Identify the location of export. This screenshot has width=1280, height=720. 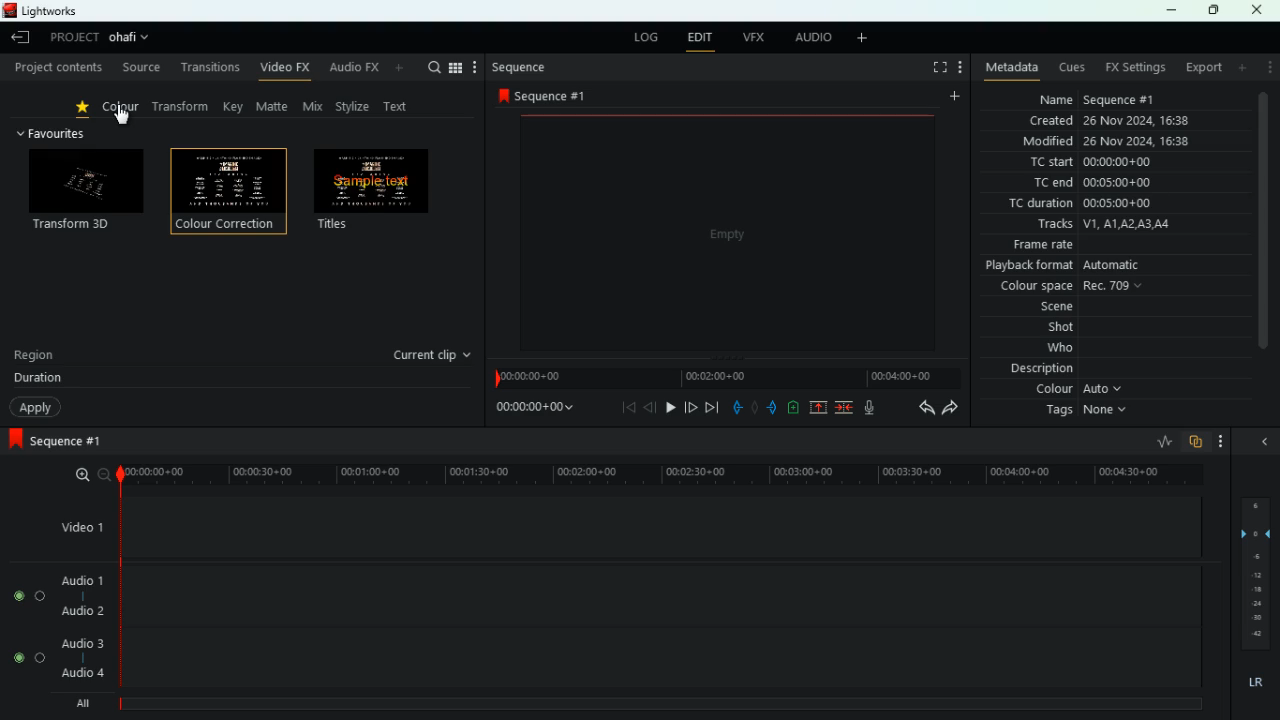
(1203, 67).